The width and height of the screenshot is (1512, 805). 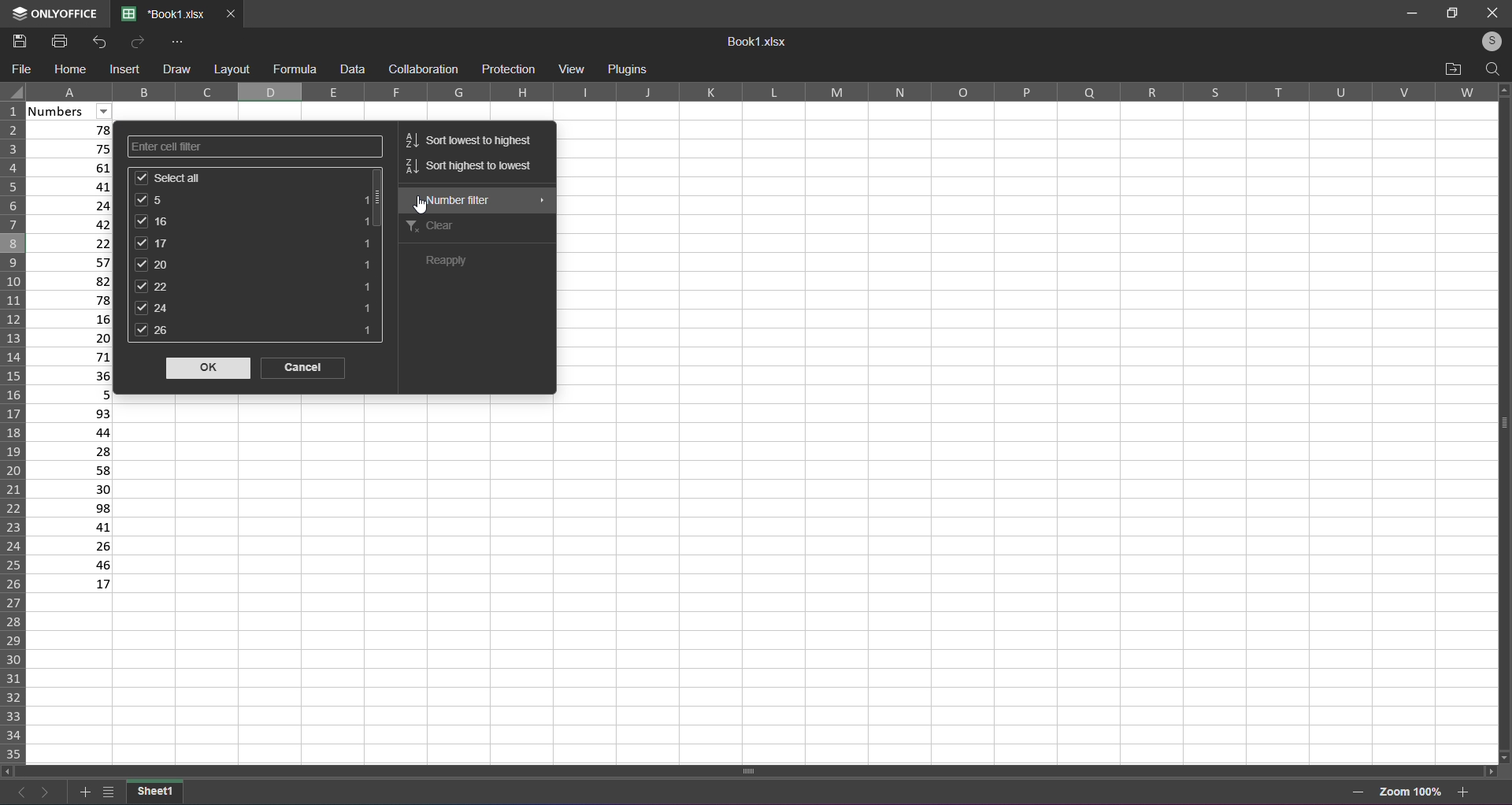 What do you see at coordinates (71, 69) in the screenshot?
I see `home` at bounding box center [71, 69].